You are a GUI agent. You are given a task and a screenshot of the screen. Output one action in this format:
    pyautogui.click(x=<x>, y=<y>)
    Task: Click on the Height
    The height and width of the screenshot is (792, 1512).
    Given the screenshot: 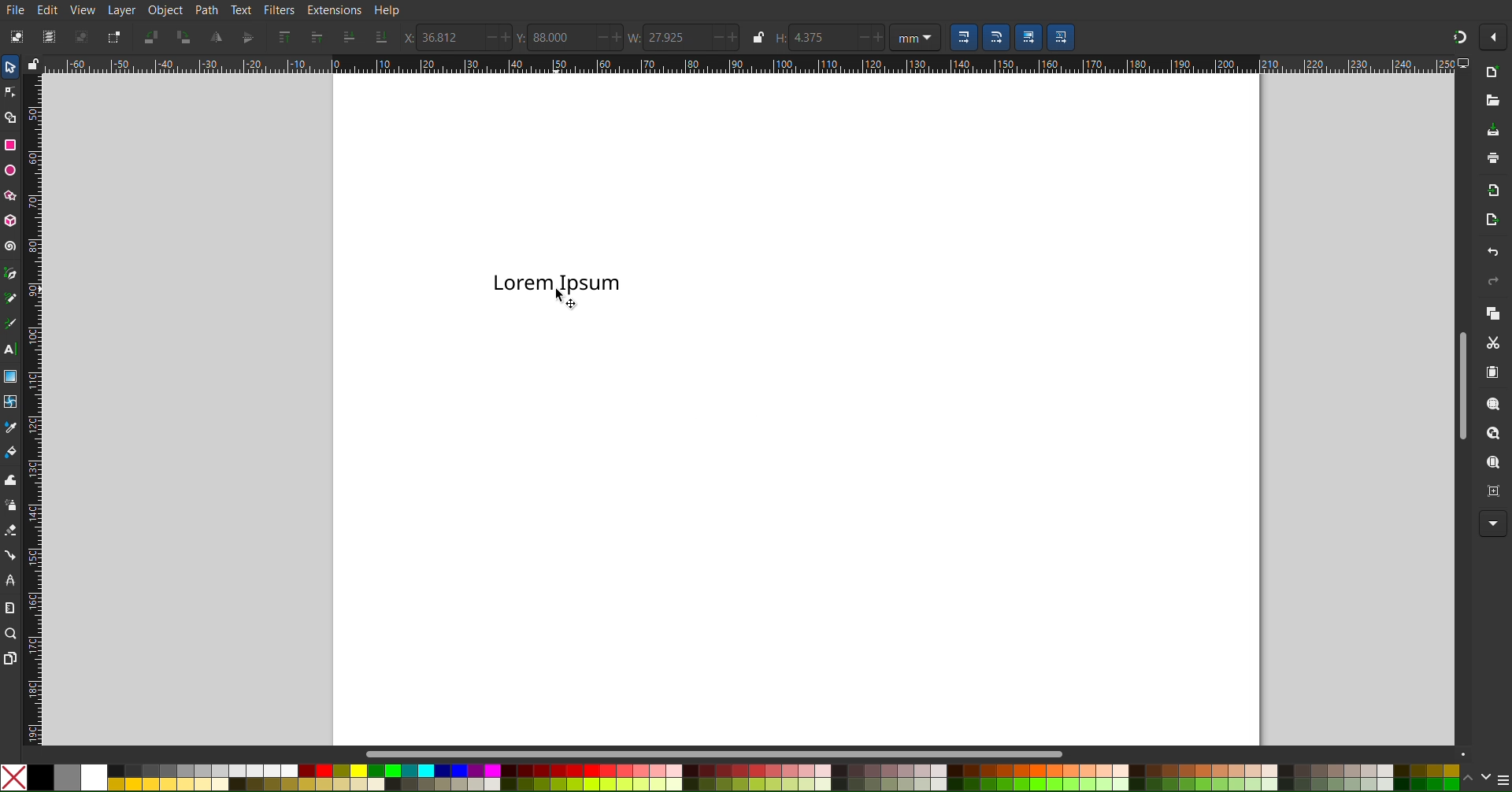 What is the action you would take?
    pyautogui.click(x=780, y=38)
    